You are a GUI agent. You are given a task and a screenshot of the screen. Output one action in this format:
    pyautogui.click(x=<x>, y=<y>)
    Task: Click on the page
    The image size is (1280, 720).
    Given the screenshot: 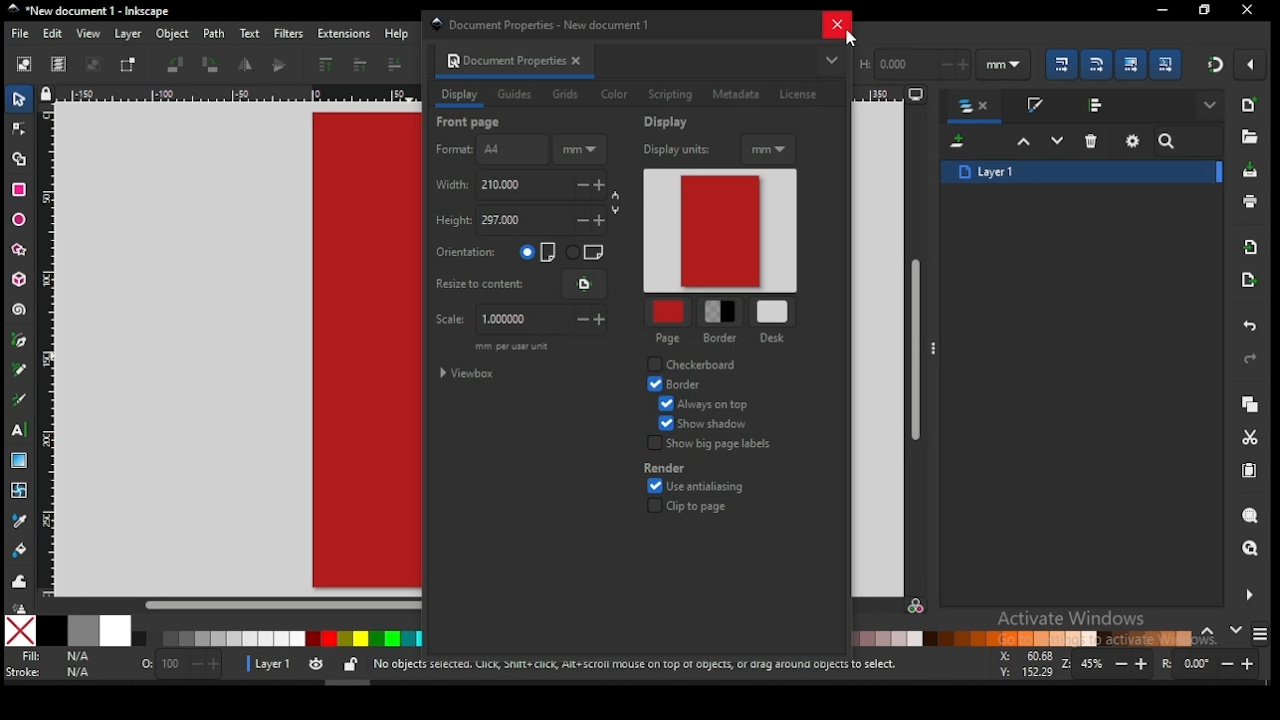 What is the action you would take?
    pyautogui.click(x=668, y=339)
    